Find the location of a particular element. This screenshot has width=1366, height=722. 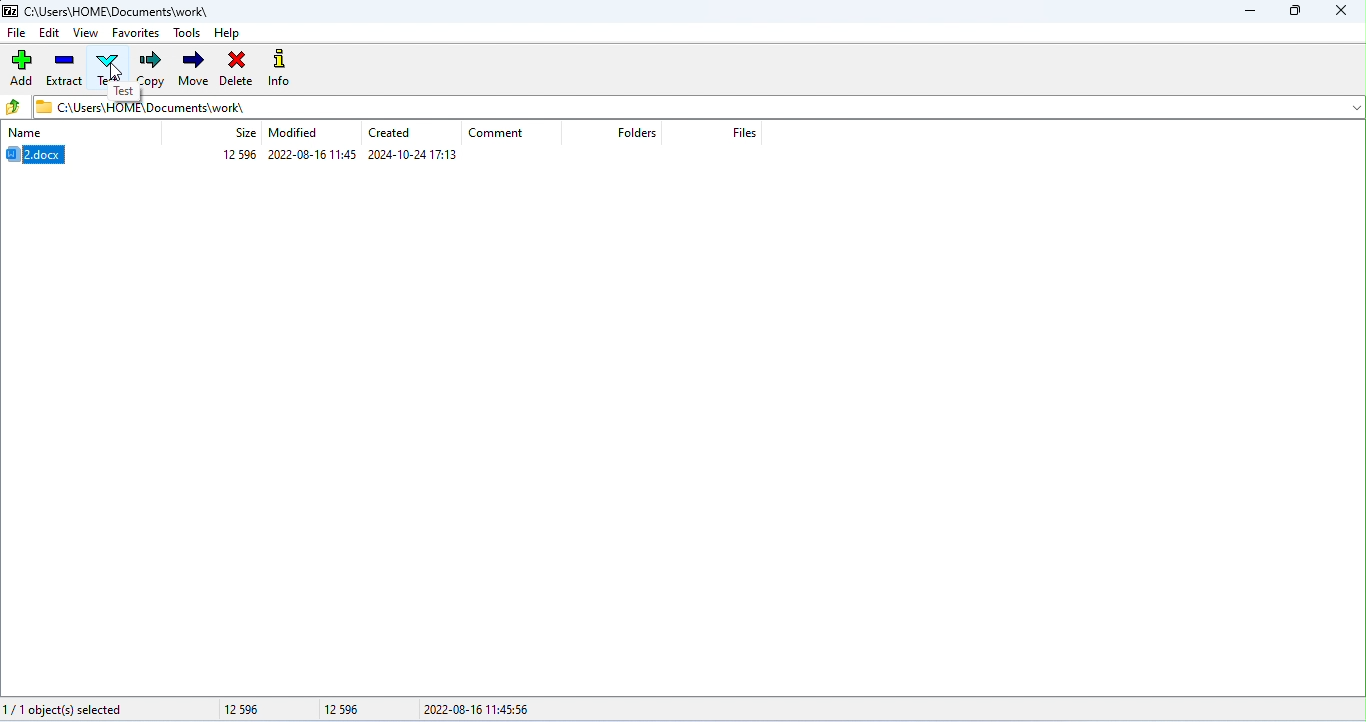

Hz] C:\Users\HOME\Documents\work\ is located at coordinates (139, 107).